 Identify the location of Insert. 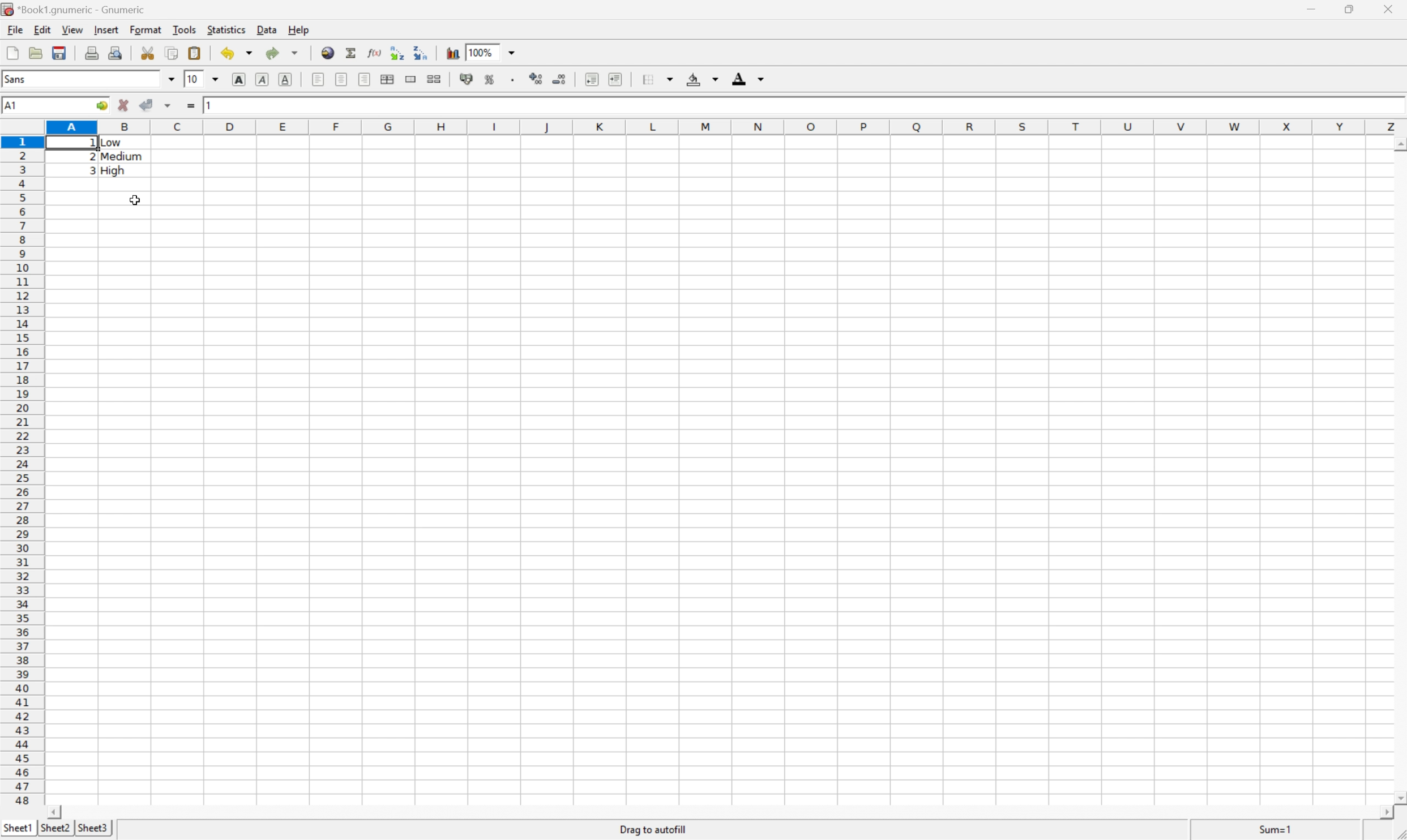
(106, 28).